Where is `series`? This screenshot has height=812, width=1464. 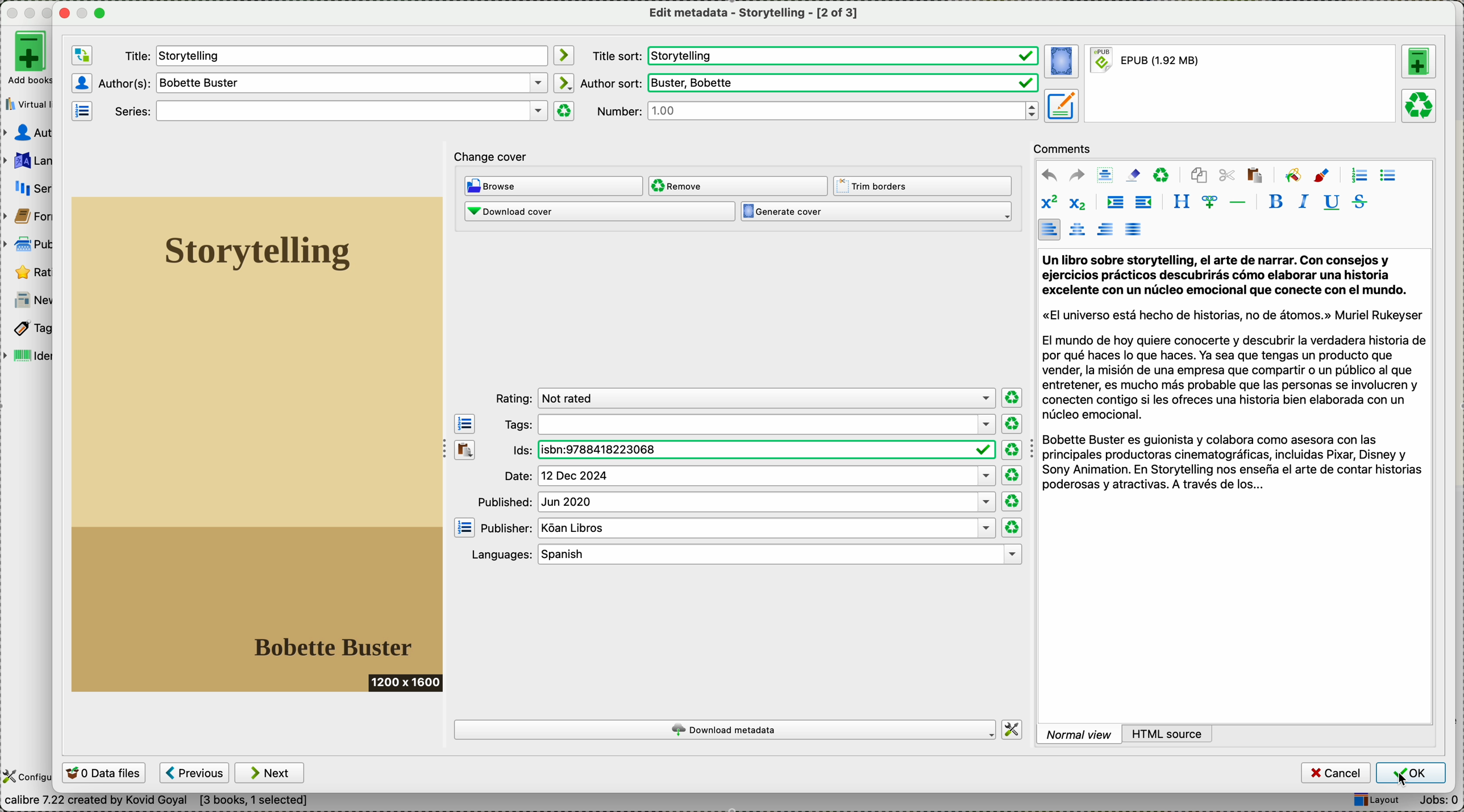 series is located at coordinates (327, 111).